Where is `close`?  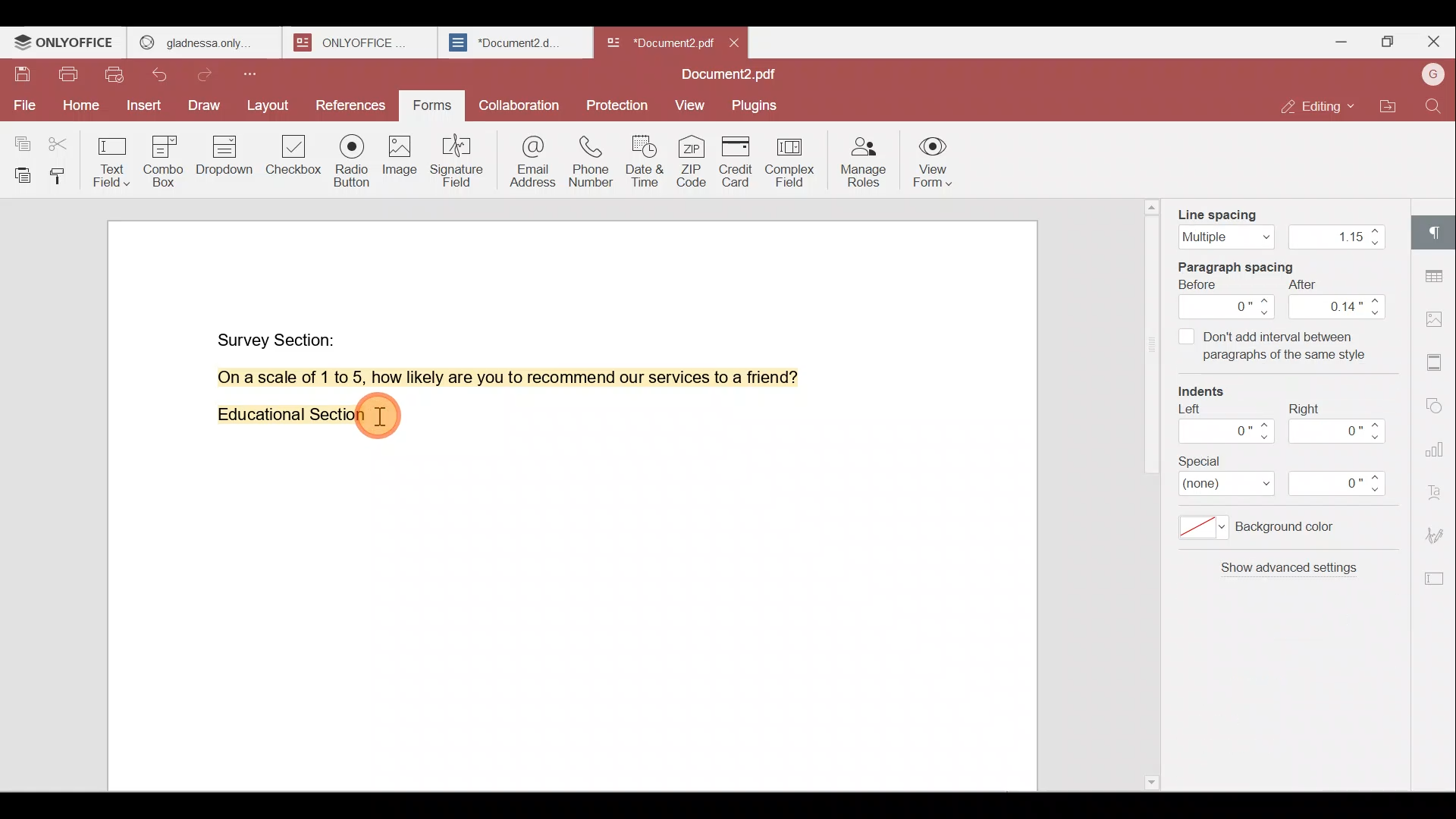
close is located at coordinates (734, 42).